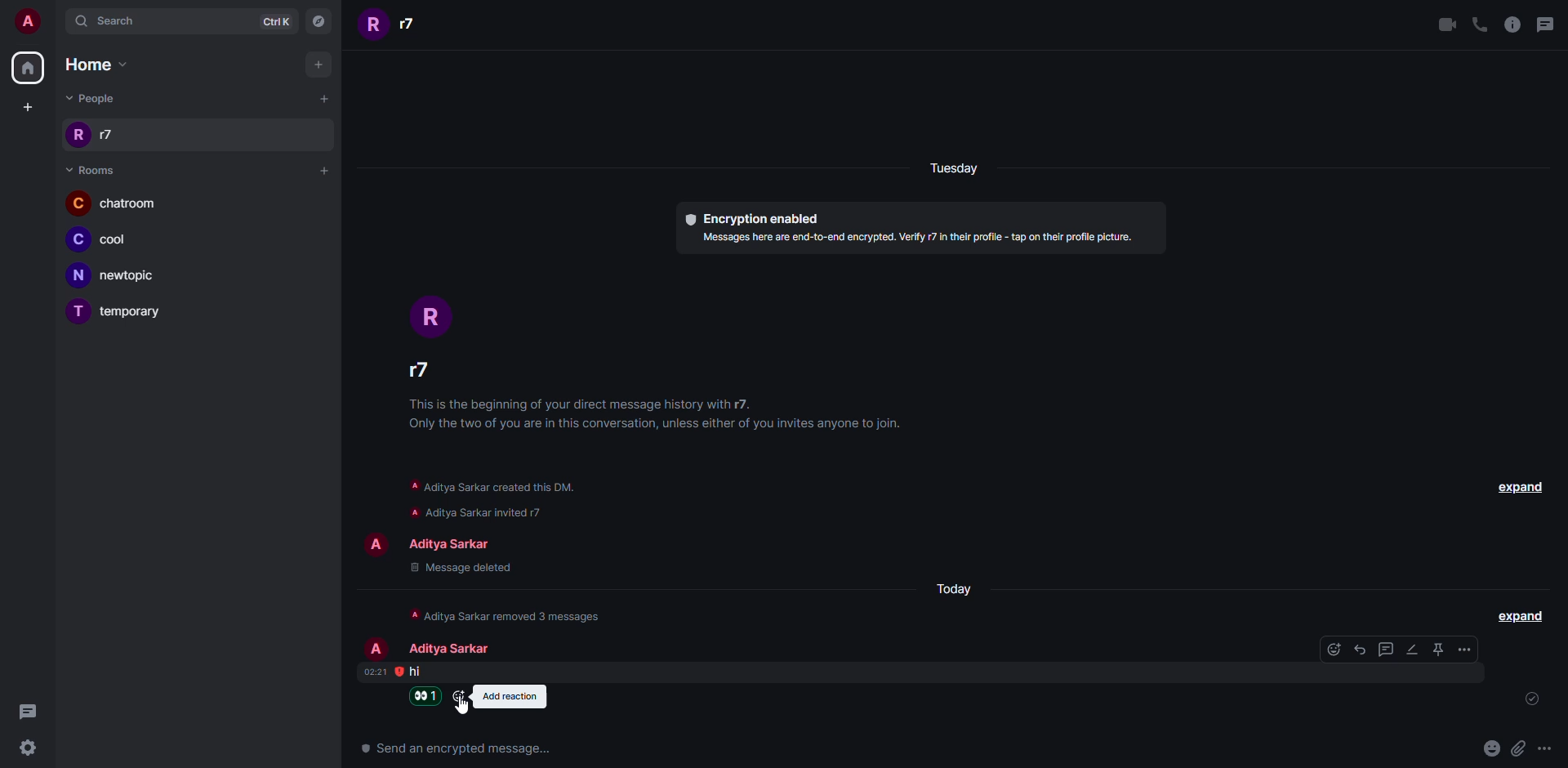 The image size is (1568, 768). I want to click on info, so click(493, 487).